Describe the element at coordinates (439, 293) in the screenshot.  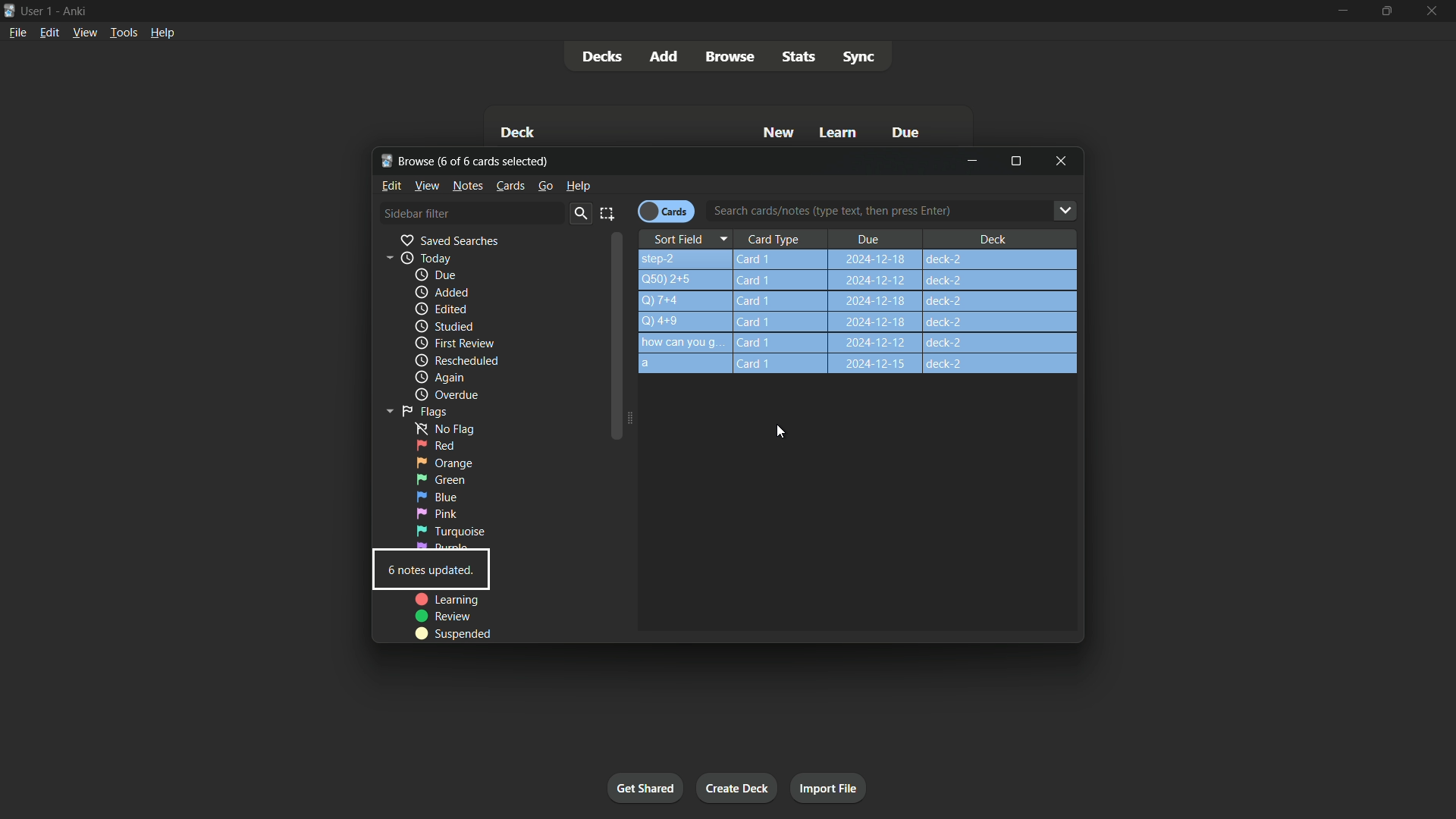
I see `added` at that location.